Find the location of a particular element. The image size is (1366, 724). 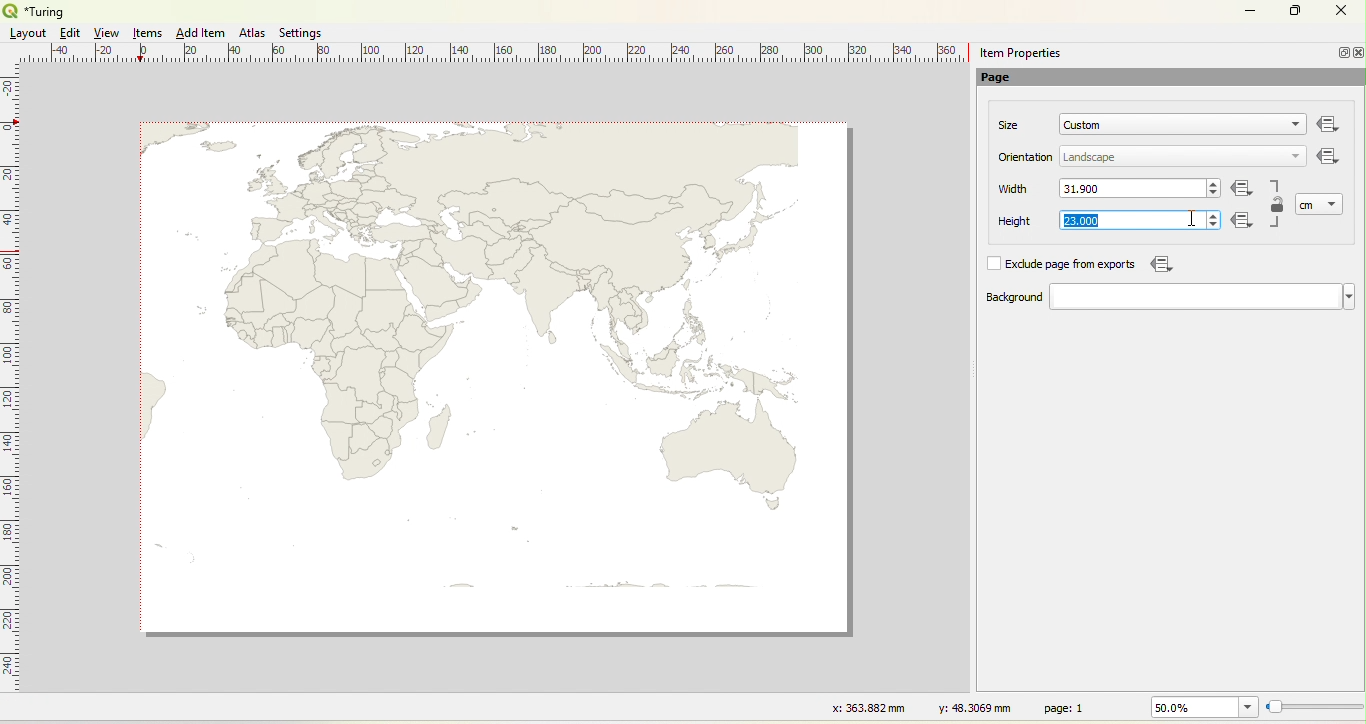

Exclude page from exports is located at coordinates (1074, 265).